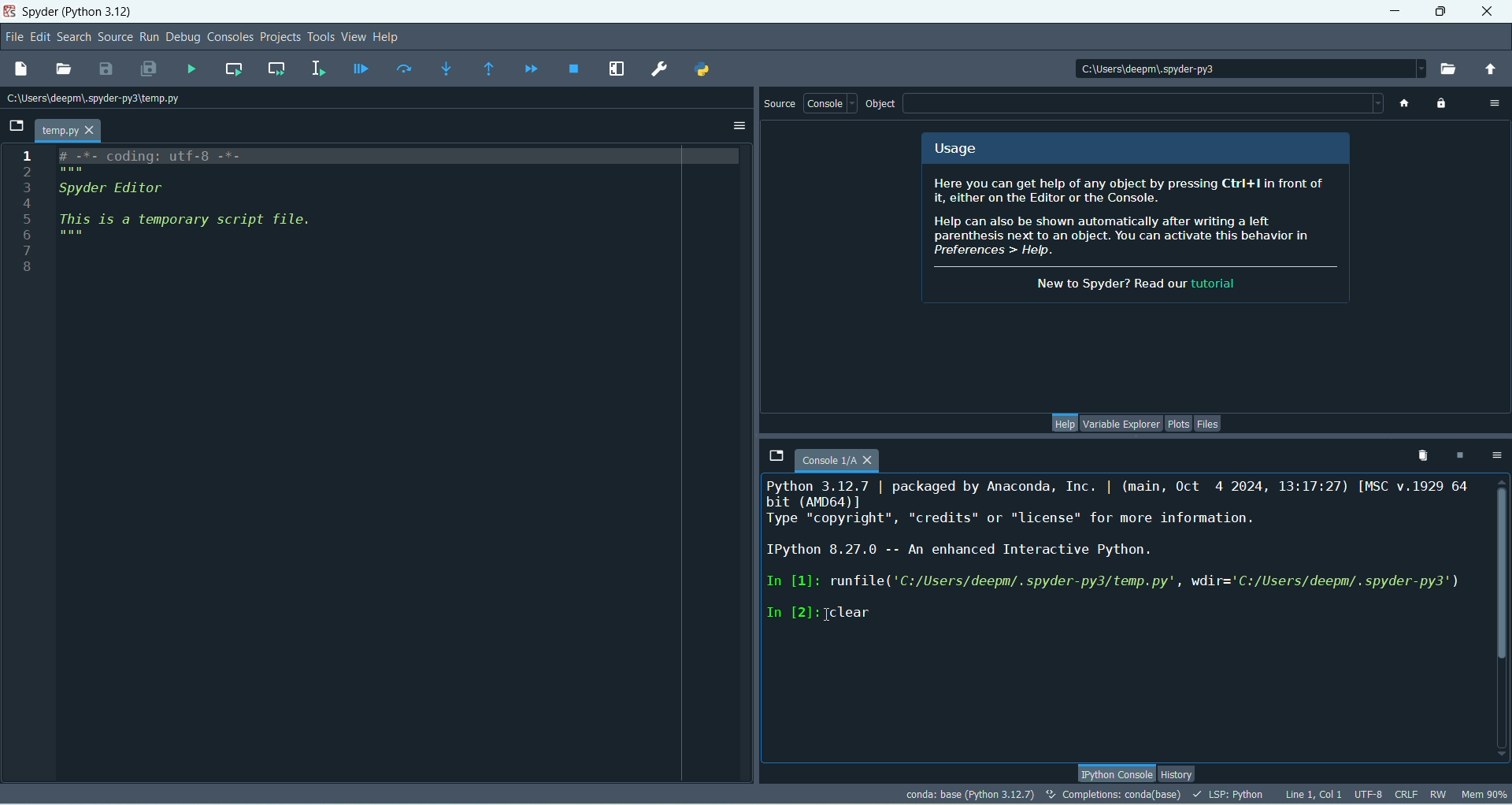  Describe the element at coordinates (702, 70) in the screenshot. I see `Pythonpath manager` at that location.